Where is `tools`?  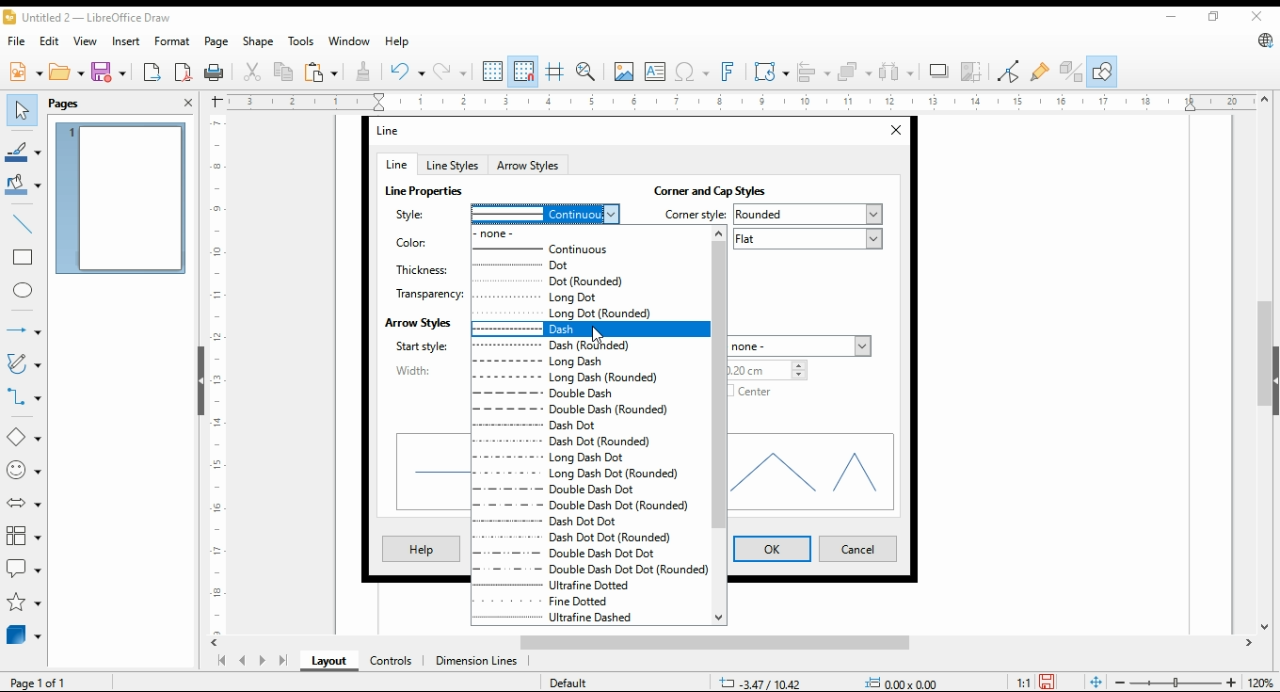 tools is located at coordinates (300, 41).